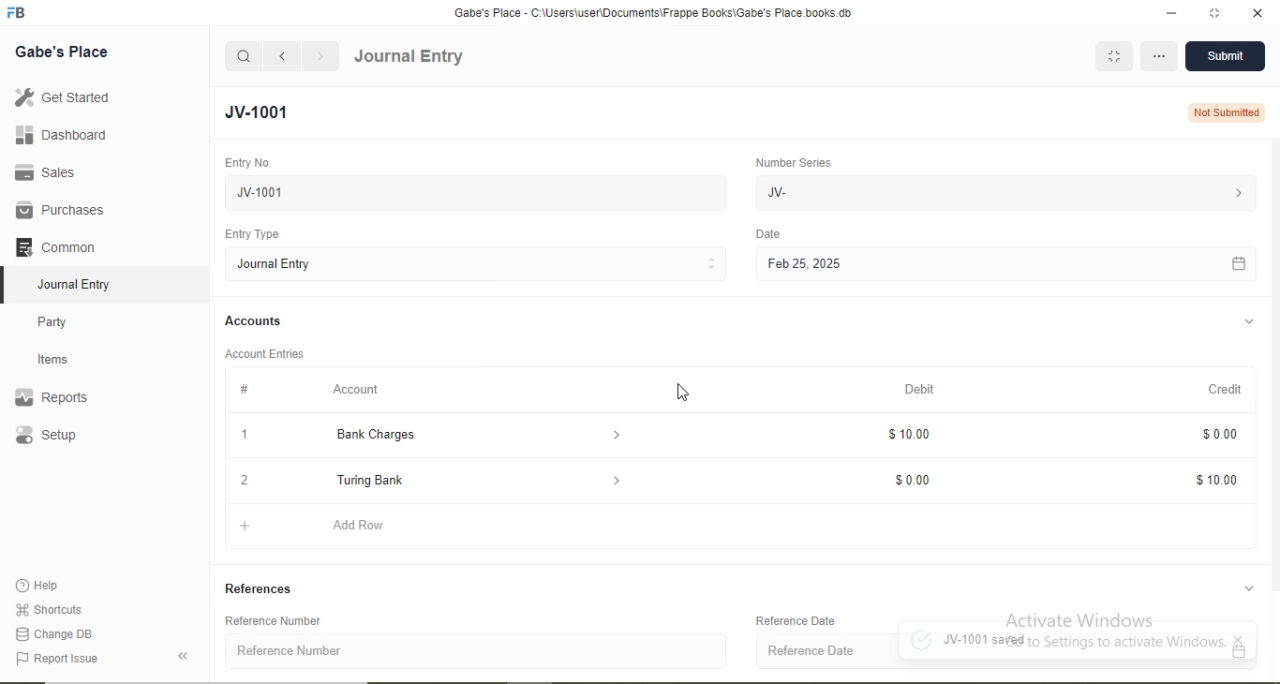 This screenshot has height=684, width=1280. Describe the element at coordinates (357, 389) in the screenshot. I see `Account` at that location.